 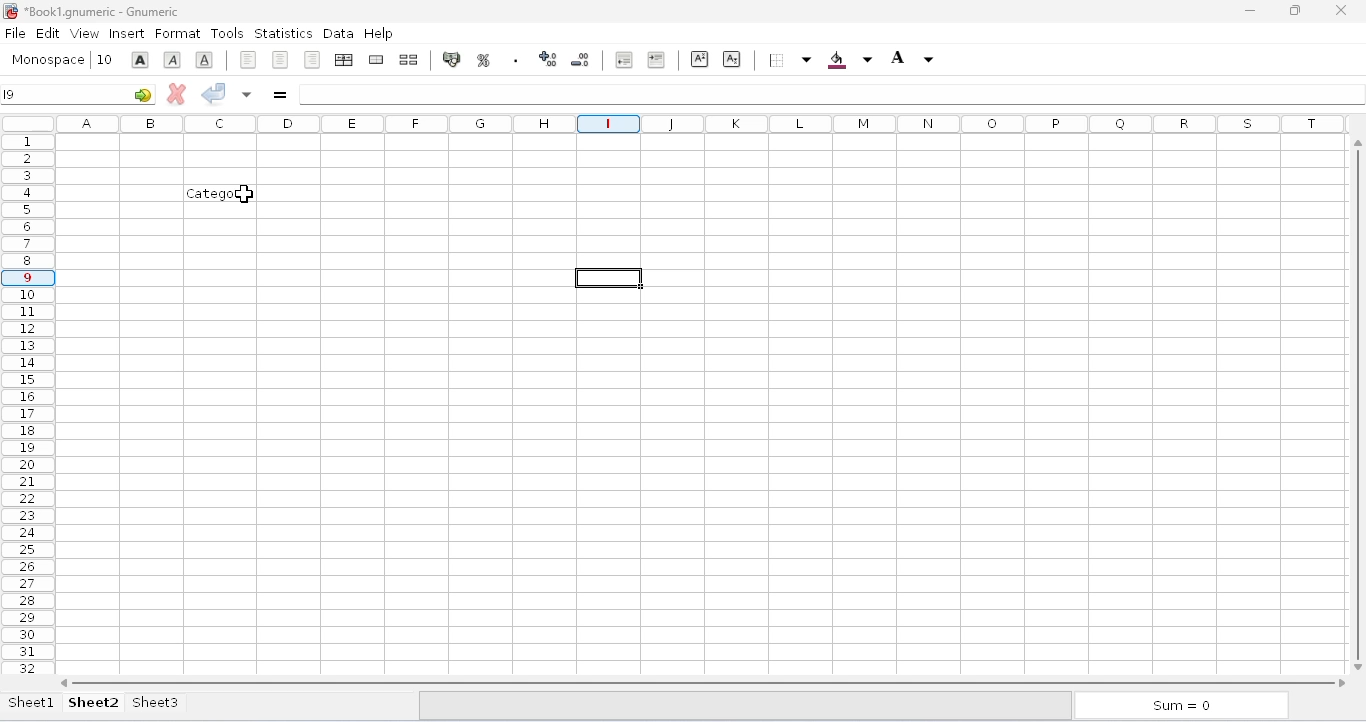 What do you see at coordinates (700, 59) in the screenshot?
I see `superscript` at bounding box center [700, 59].